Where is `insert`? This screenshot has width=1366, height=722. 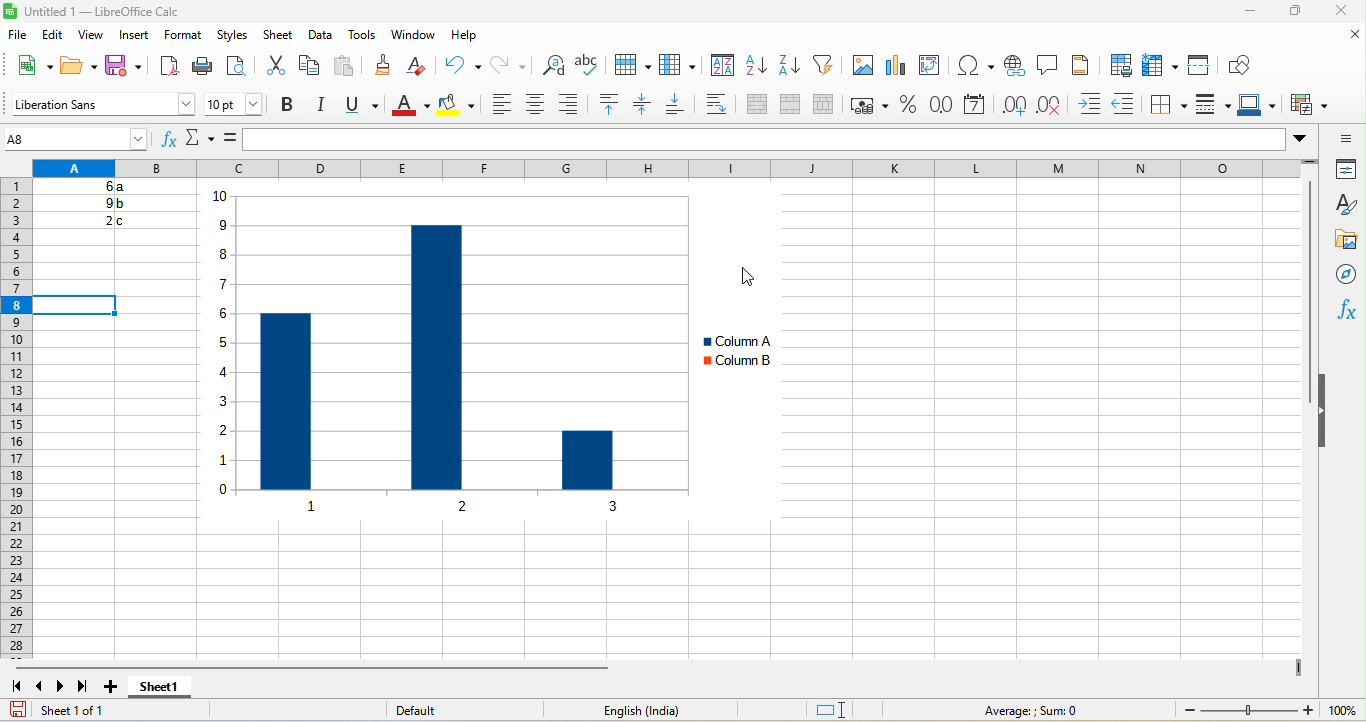
insert is located at coordinates (140, 36).